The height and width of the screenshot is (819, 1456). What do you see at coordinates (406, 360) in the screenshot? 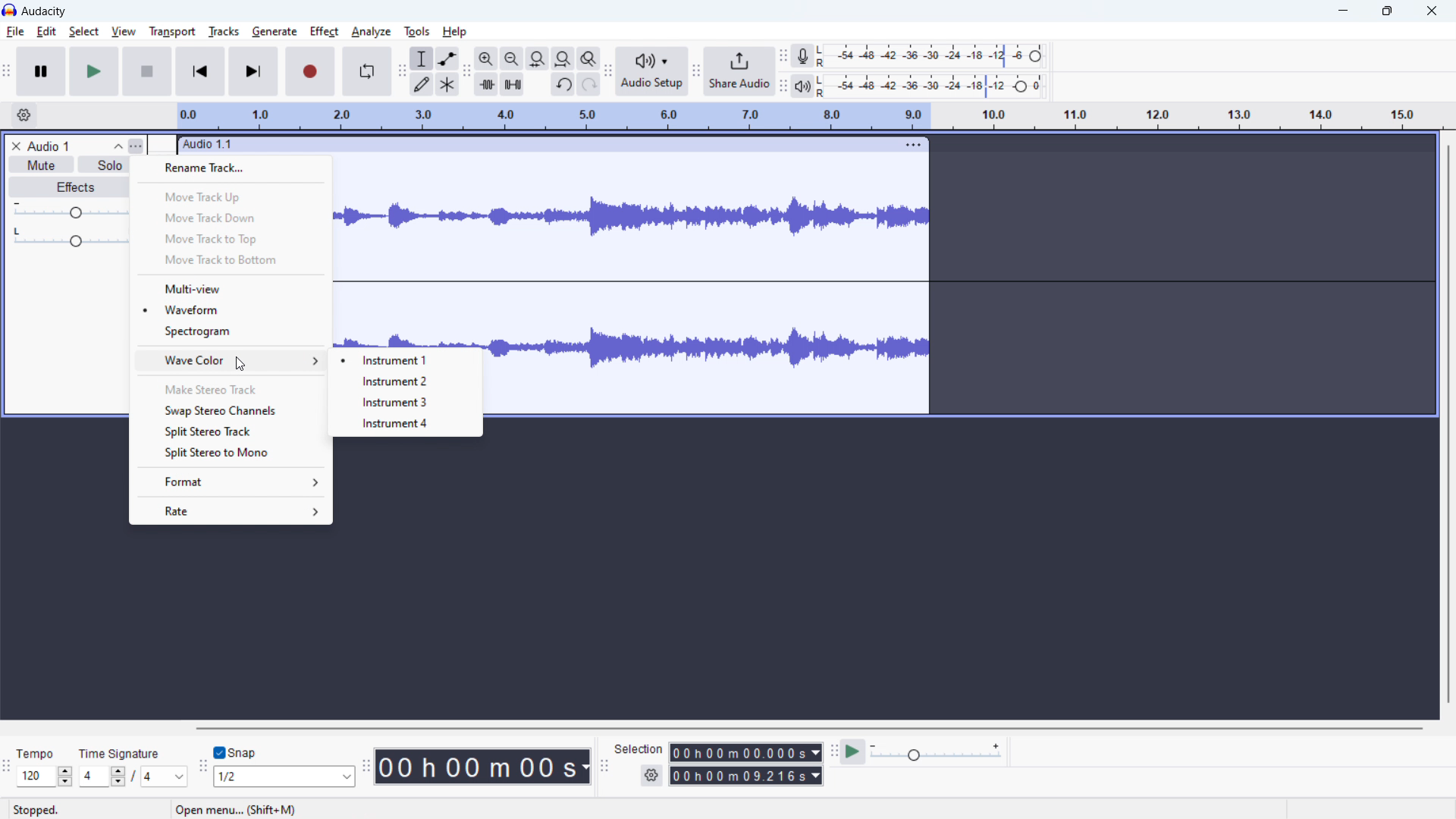
I see `instrument 1` at bounding box center [406, 360].